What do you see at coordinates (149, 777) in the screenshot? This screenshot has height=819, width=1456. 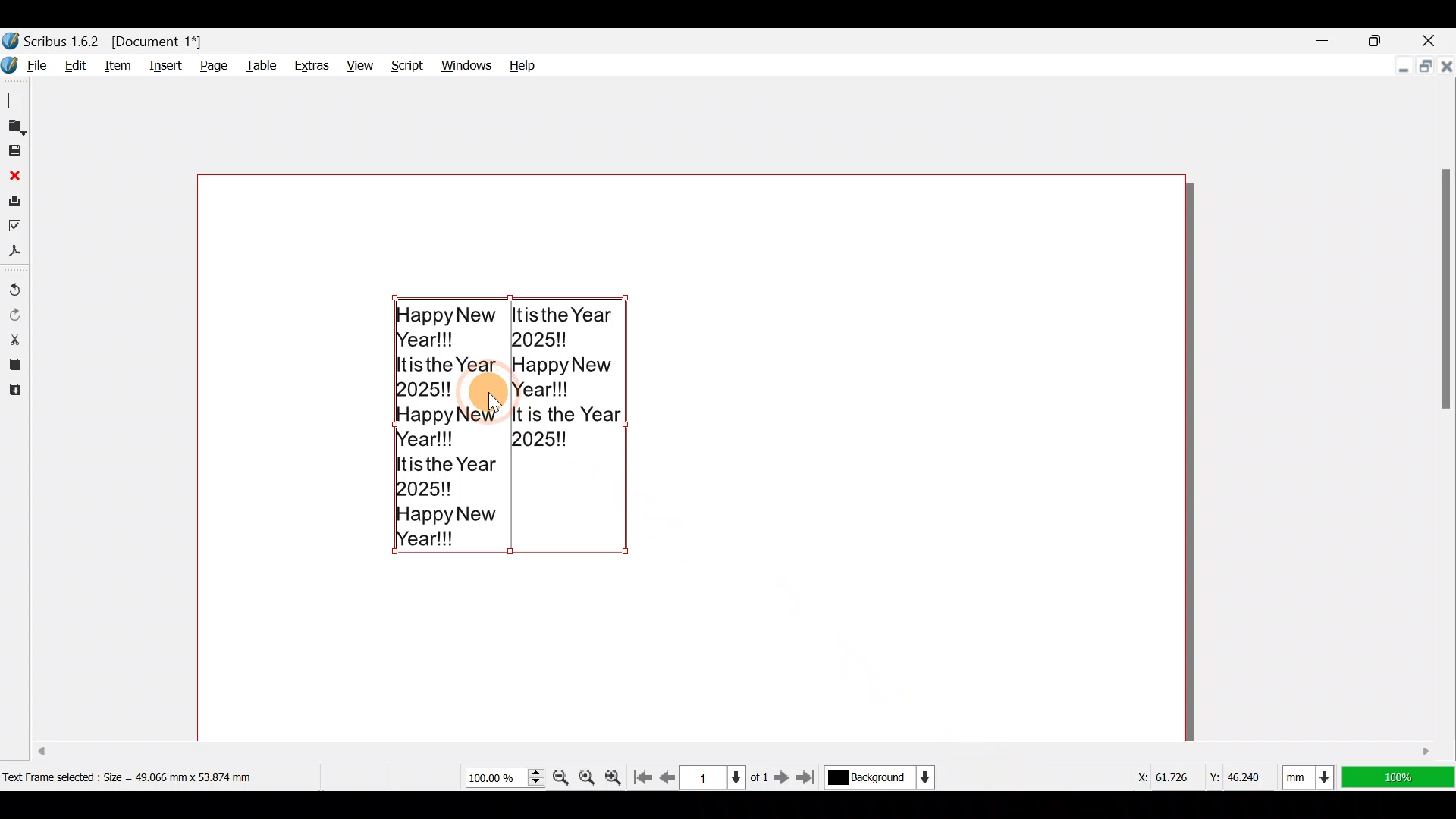 I see `Dimension of selected text frame` at bounding box center [149, 777].